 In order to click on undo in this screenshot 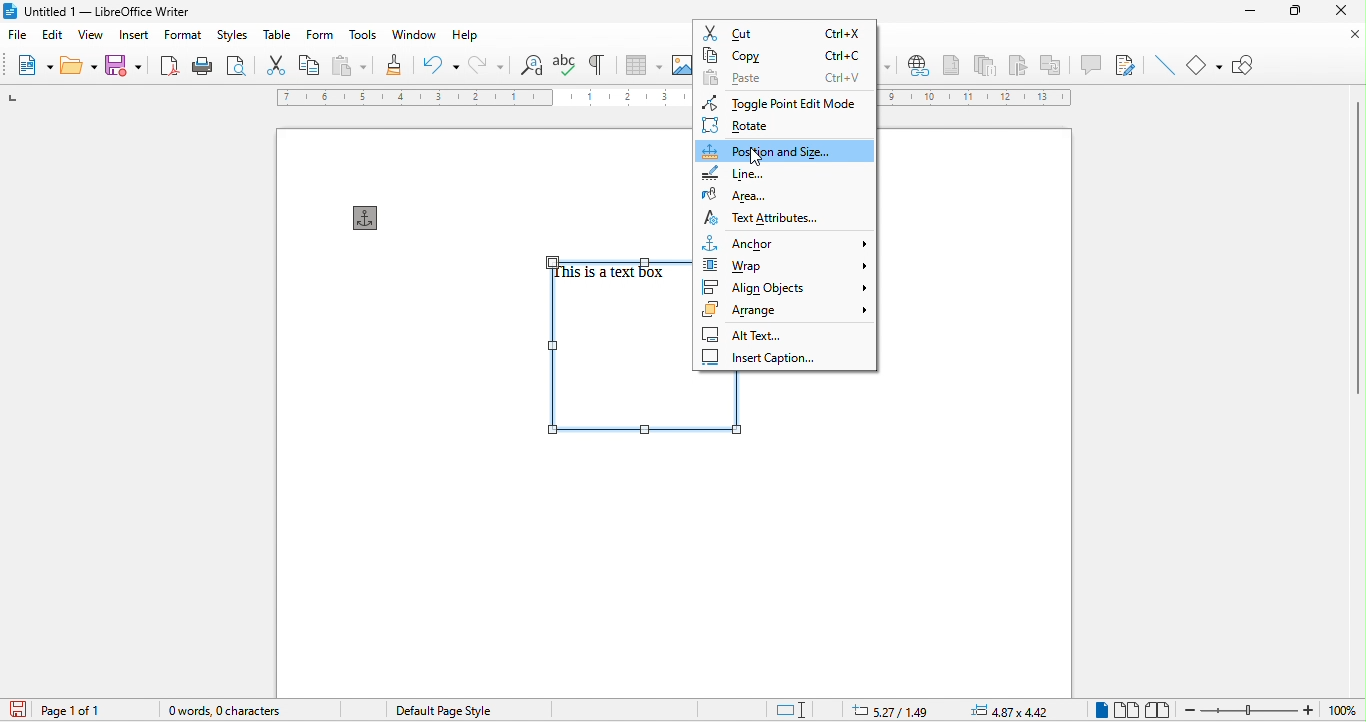, I will do `click(438, 65)`.